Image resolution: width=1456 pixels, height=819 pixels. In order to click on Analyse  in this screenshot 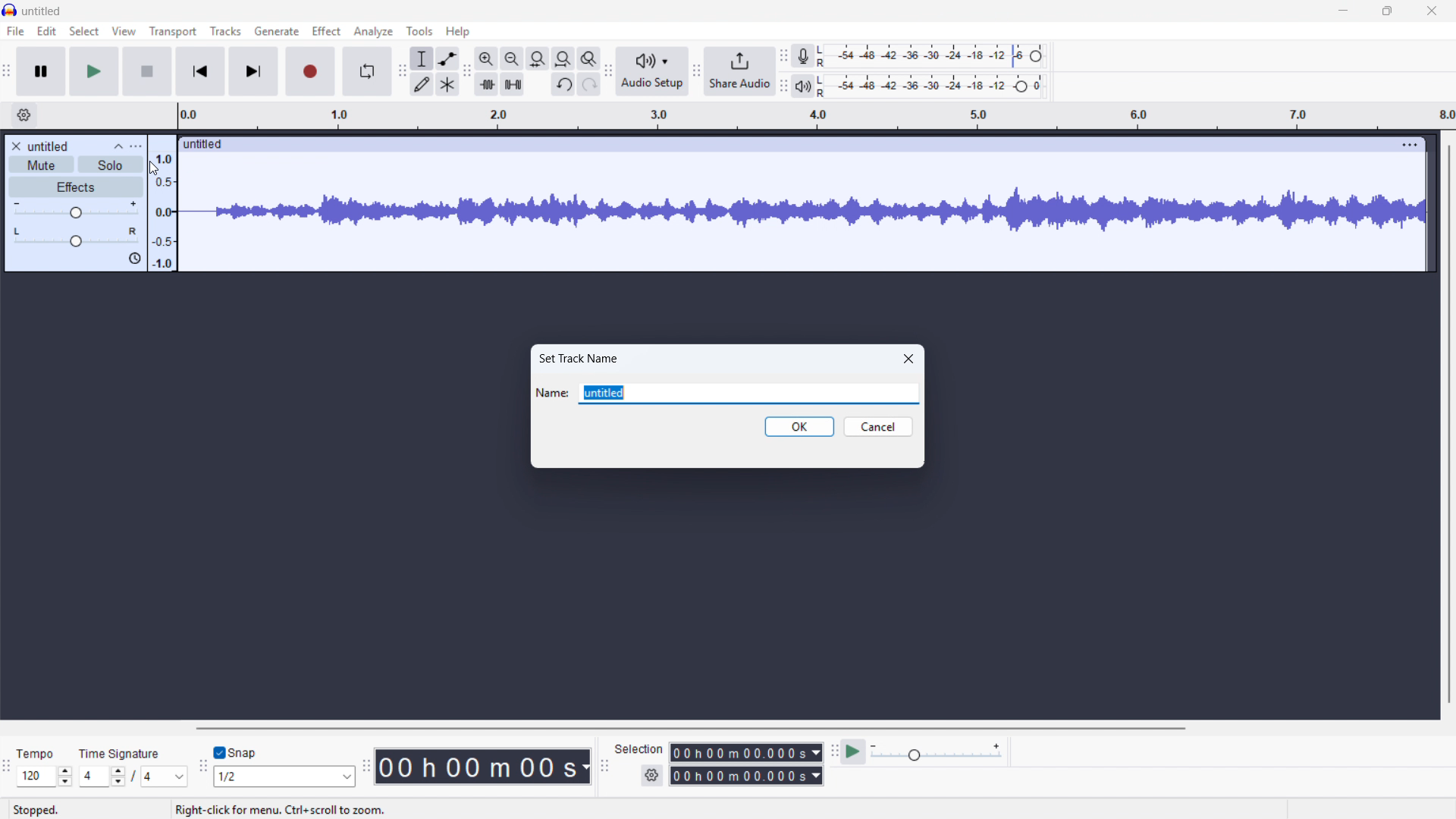, I will do `click(372, 31)`.